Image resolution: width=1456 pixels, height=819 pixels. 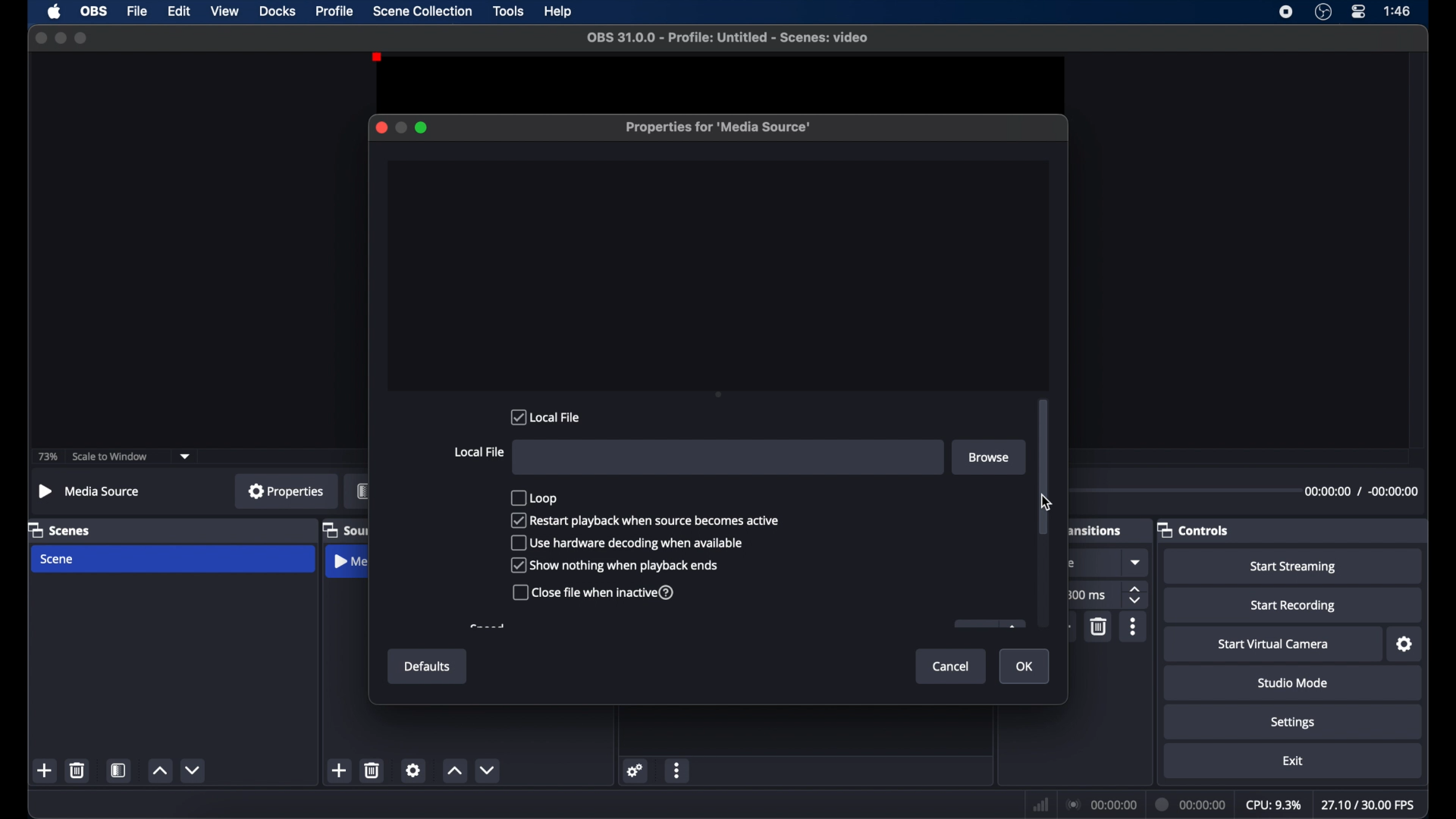 I want to click on duration, so click(x=1192, y=805).